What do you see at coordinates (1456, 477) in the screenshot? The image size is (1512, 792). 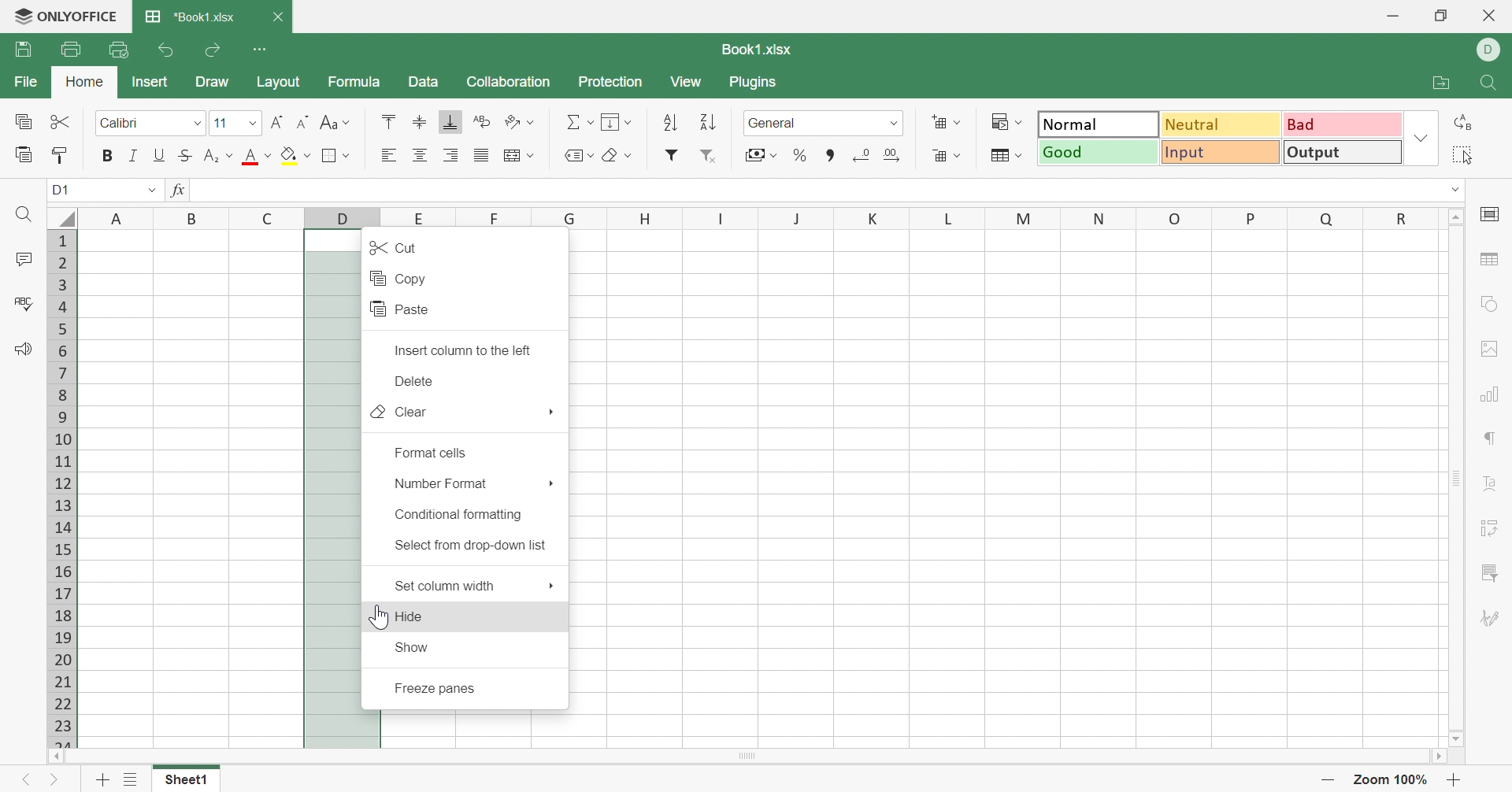 I see `Scroll Bar` at bounding box center [1456, 477].